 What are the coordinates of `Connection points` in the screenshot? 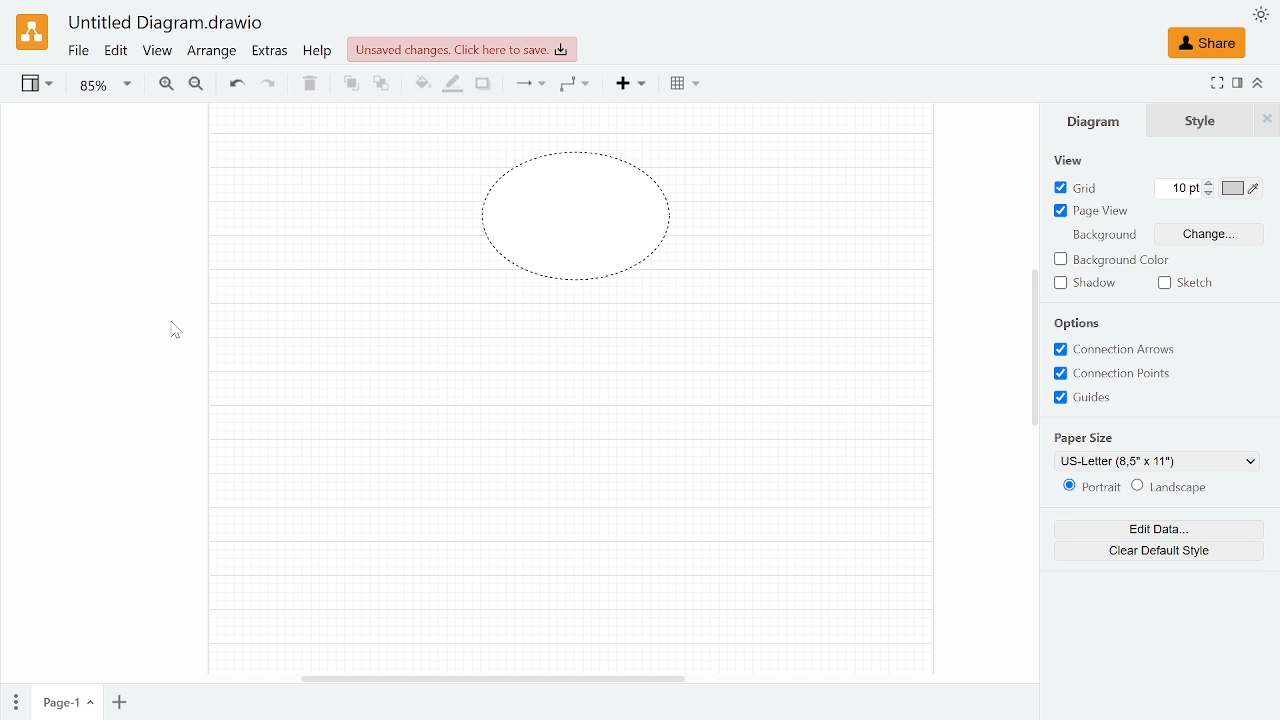 It's located at (1111, 376).